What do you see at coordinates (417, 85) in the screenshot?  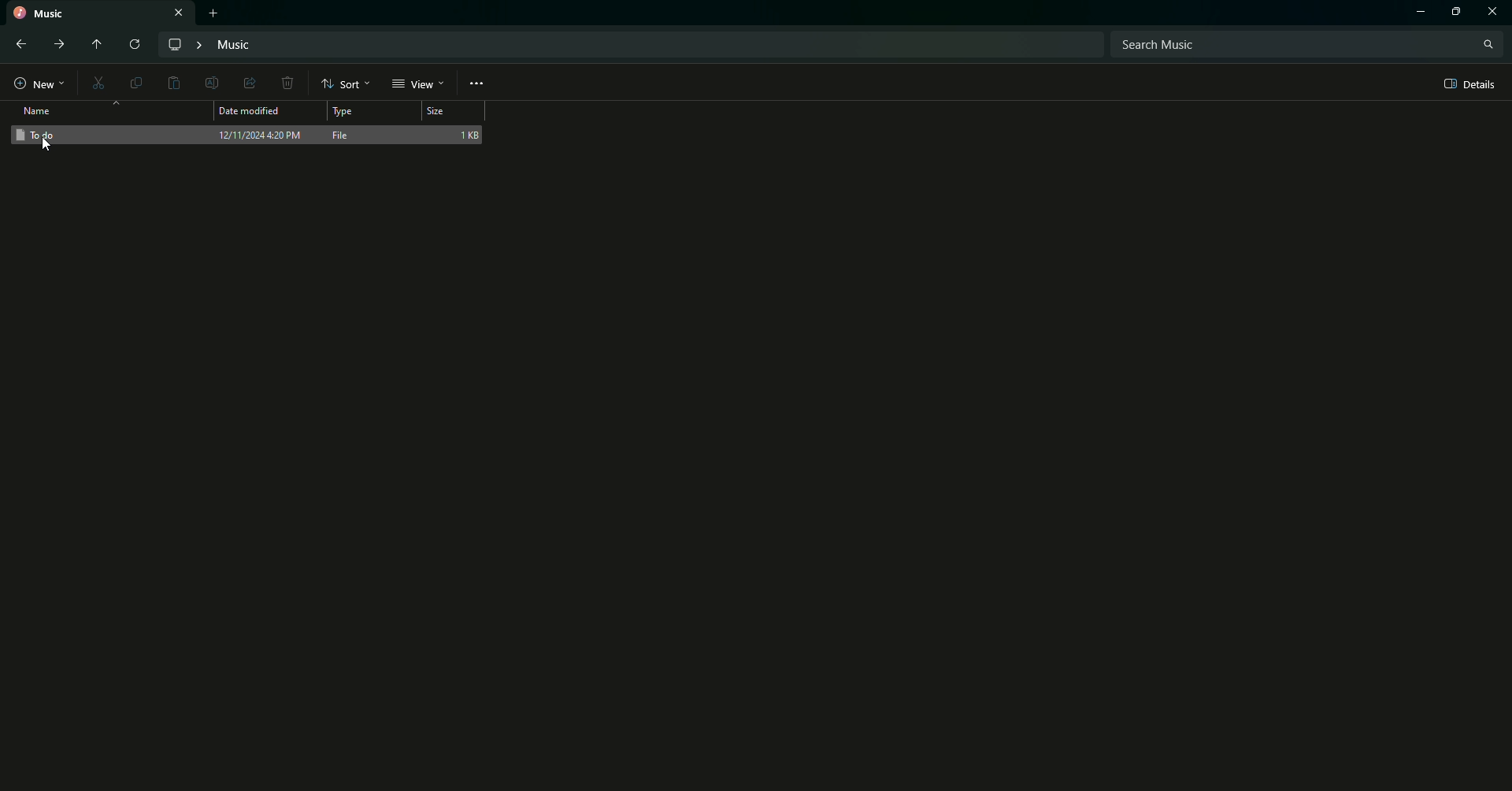 I see `View` at bounding box center [417, 85].